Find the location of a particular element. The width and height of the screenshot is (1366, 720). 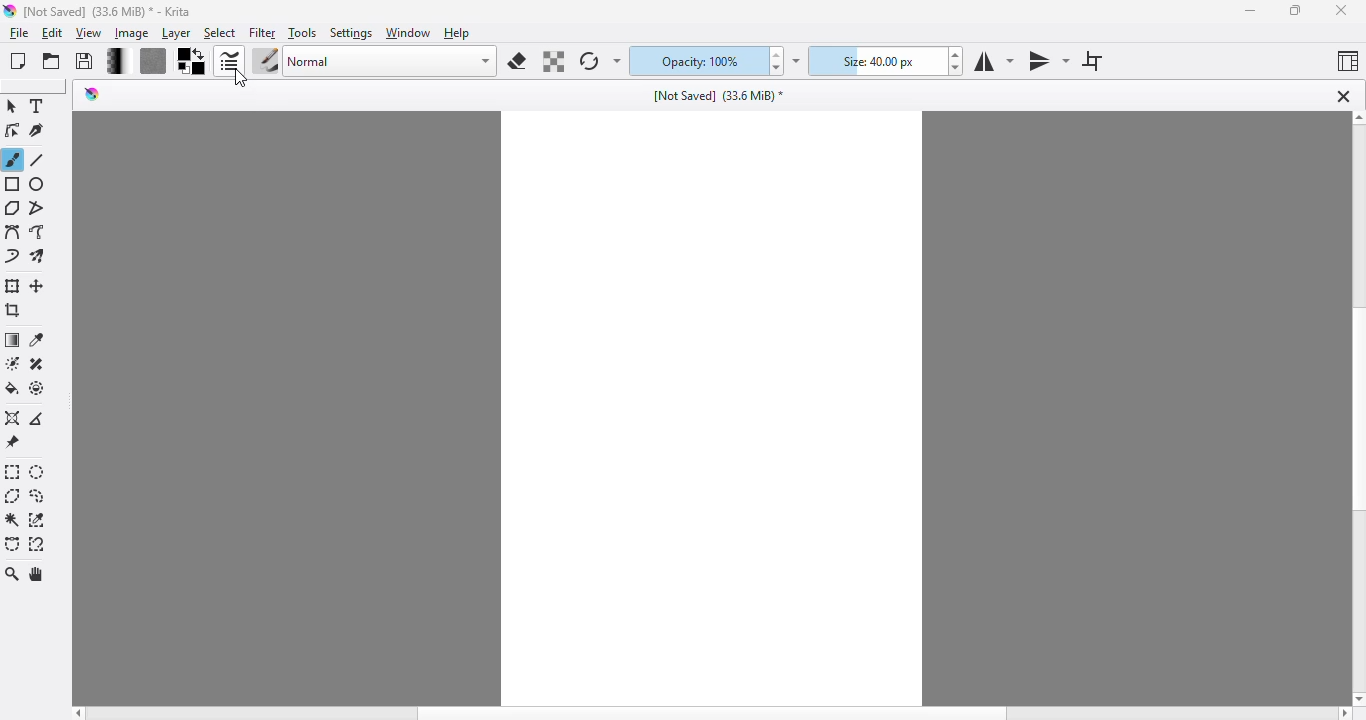

reload original preset is located at coordinates (589, 64).